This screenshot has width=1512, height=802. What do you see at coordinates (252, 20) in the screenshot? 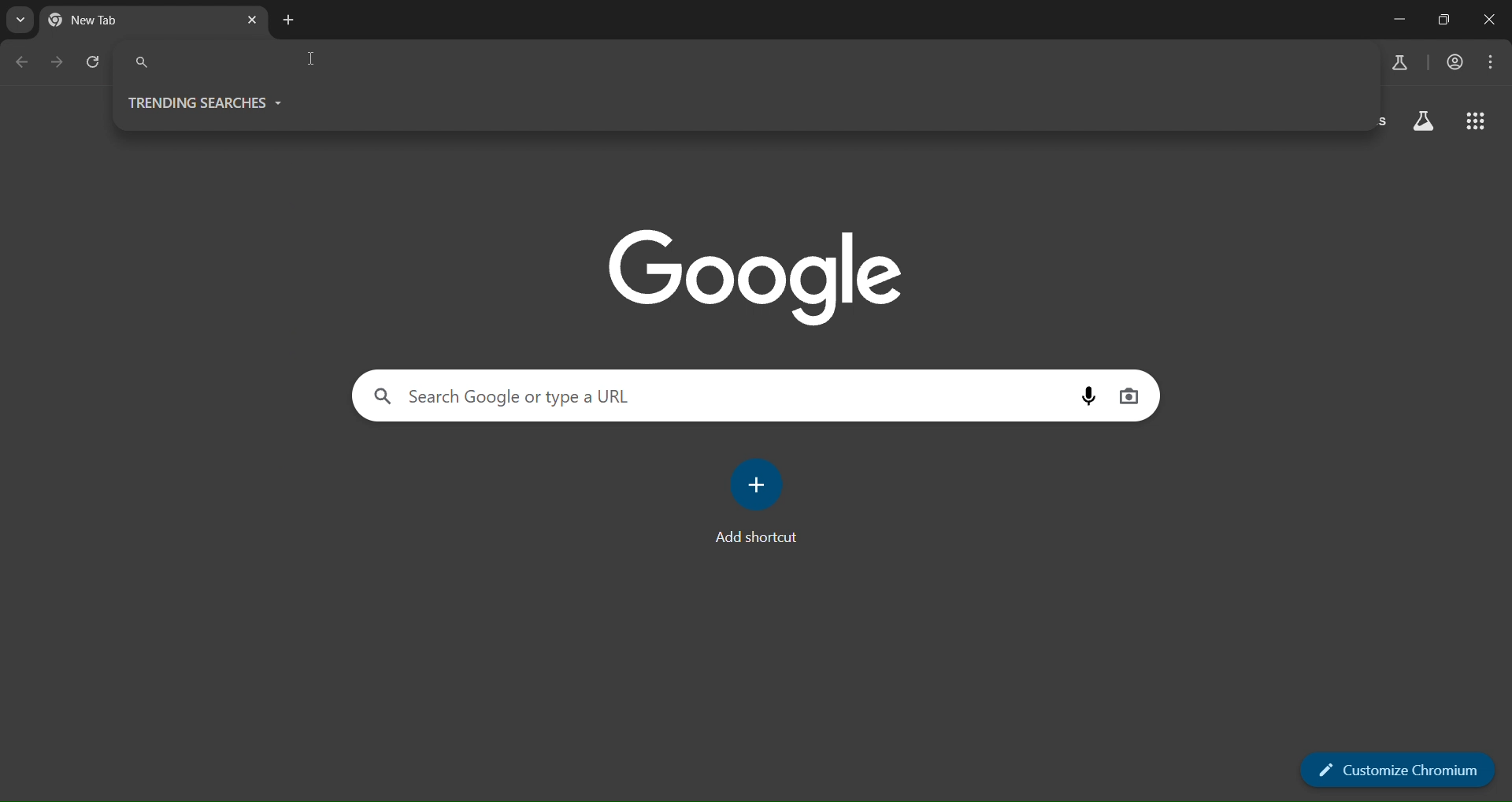
I see `close tab` at bounding box center [252, 20].